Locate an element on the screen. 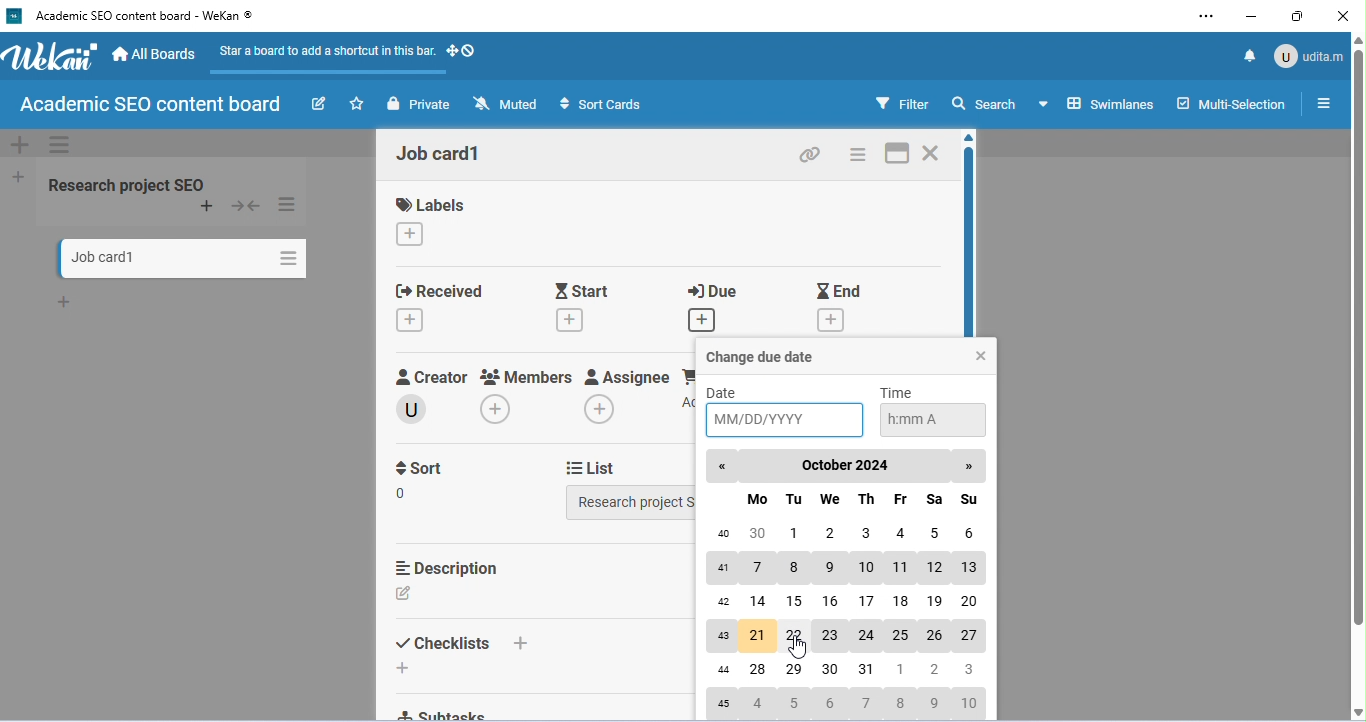  add checklist to bottom is located at coordinates (406, 668).